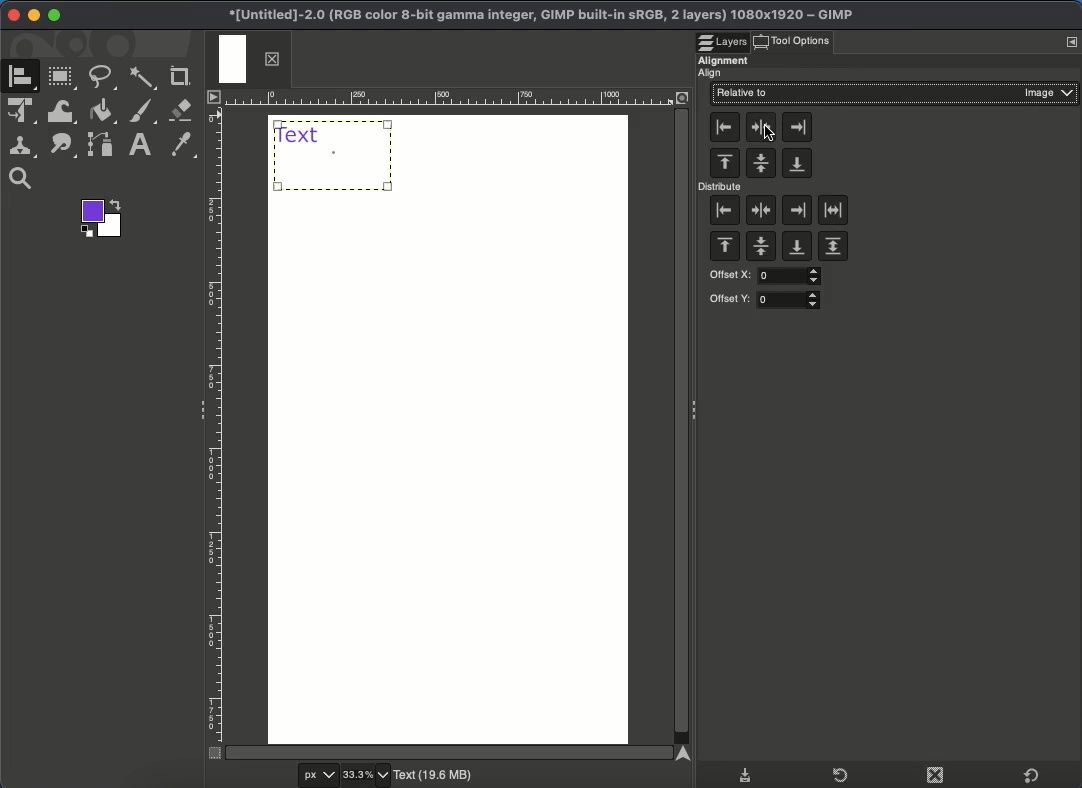  I want to click on A, so click(24, 78).